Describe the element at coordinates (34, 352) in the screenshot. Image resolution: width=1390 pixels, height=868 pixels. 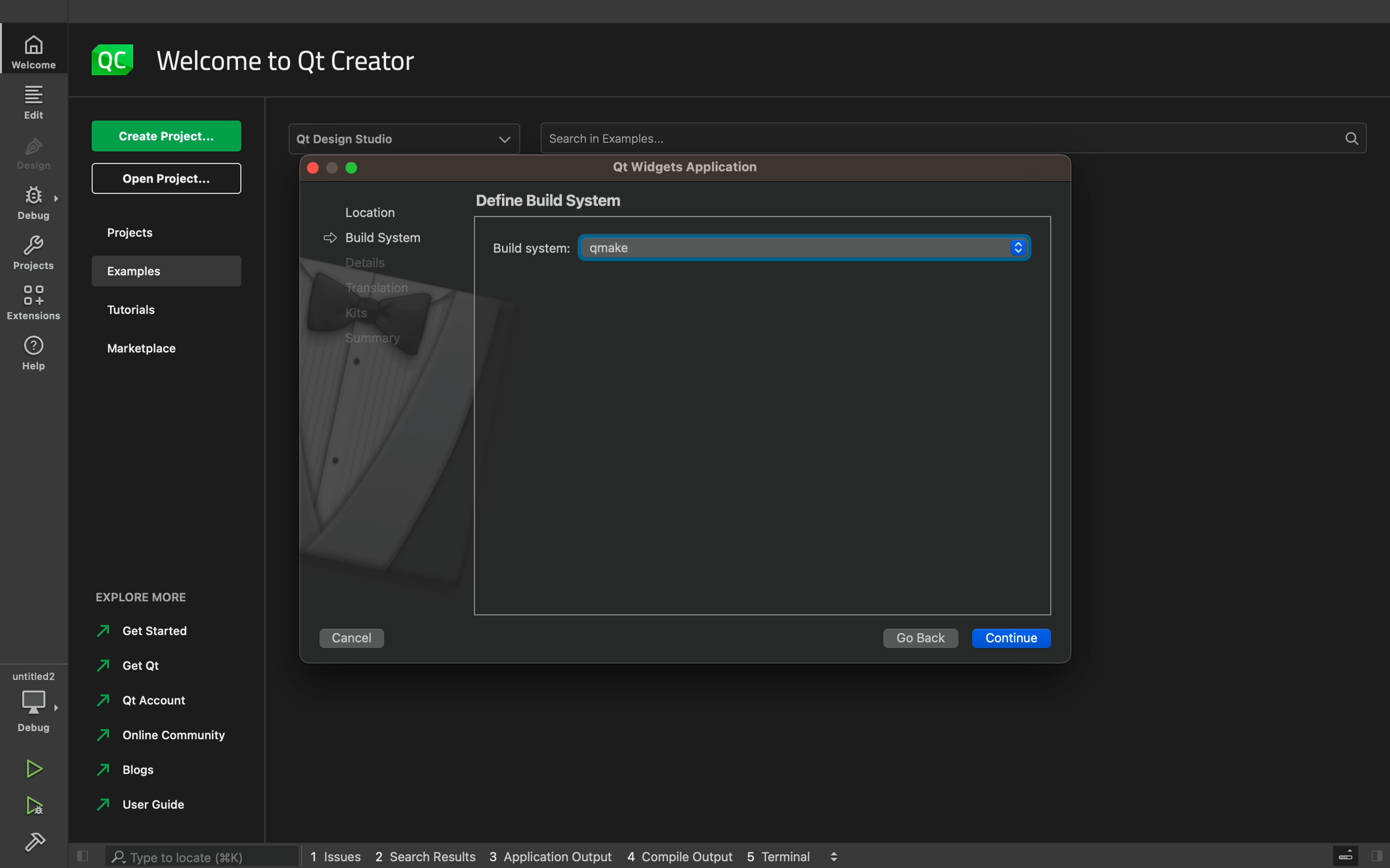
I see `help` at that location.